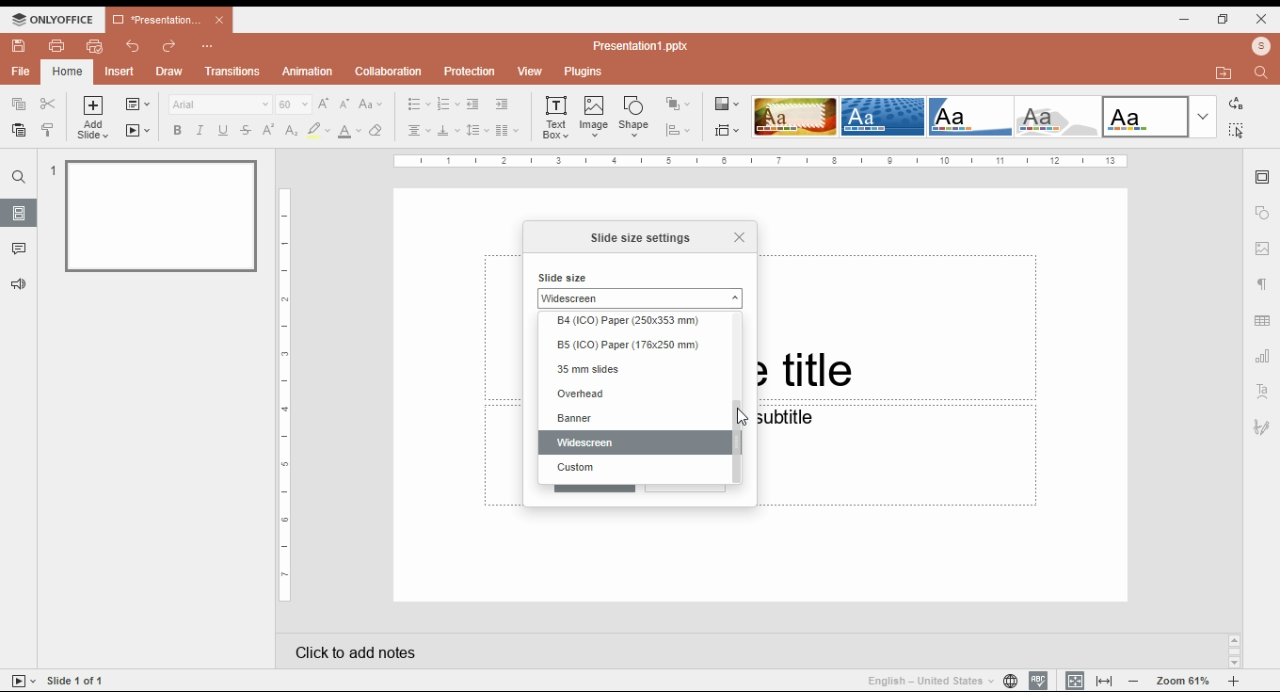  I want to click on fit to window, so click(1106, 680).